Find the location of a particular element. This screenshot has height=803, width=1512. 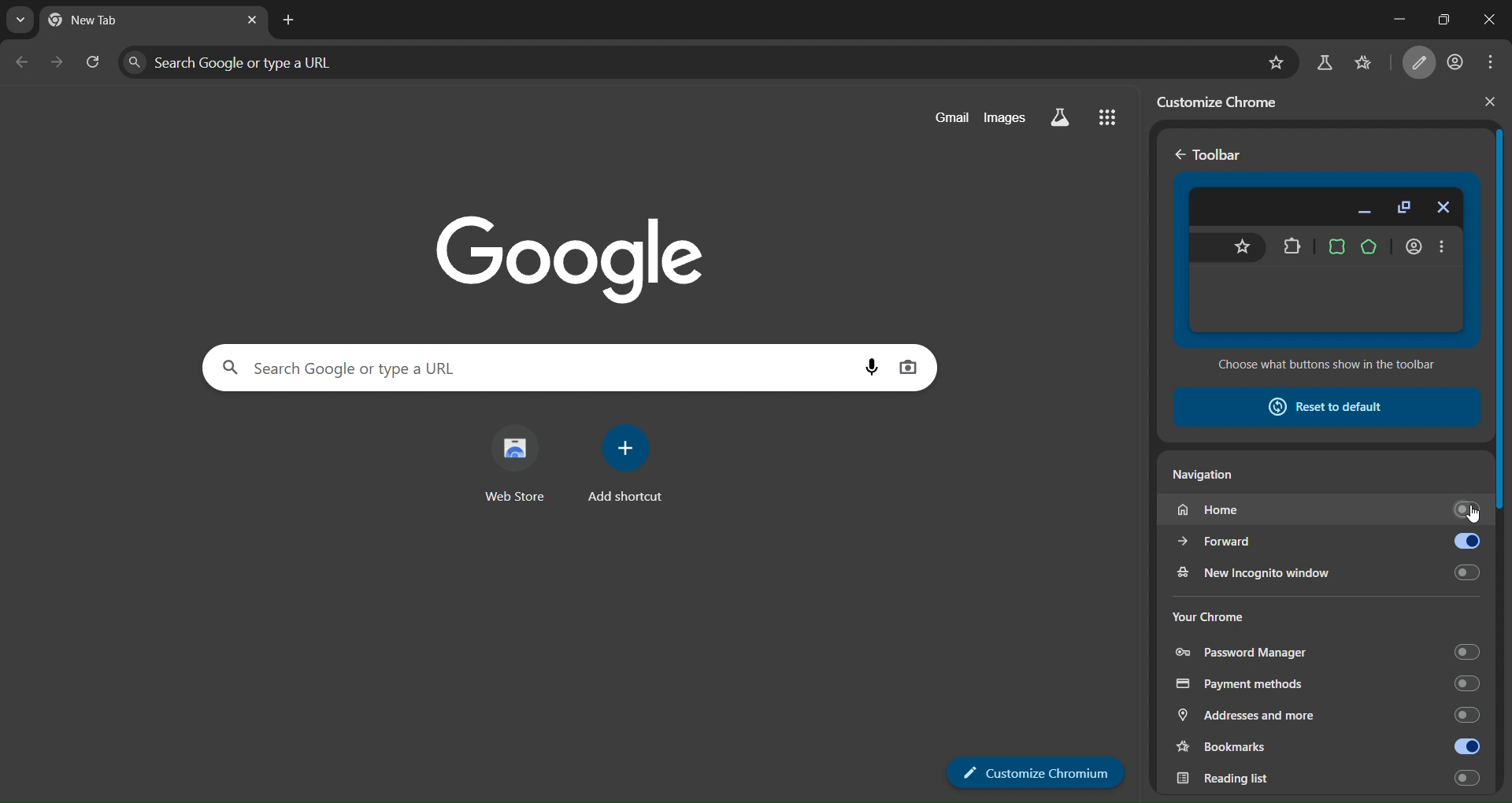

toggle is located at coordinates (1460, 746).